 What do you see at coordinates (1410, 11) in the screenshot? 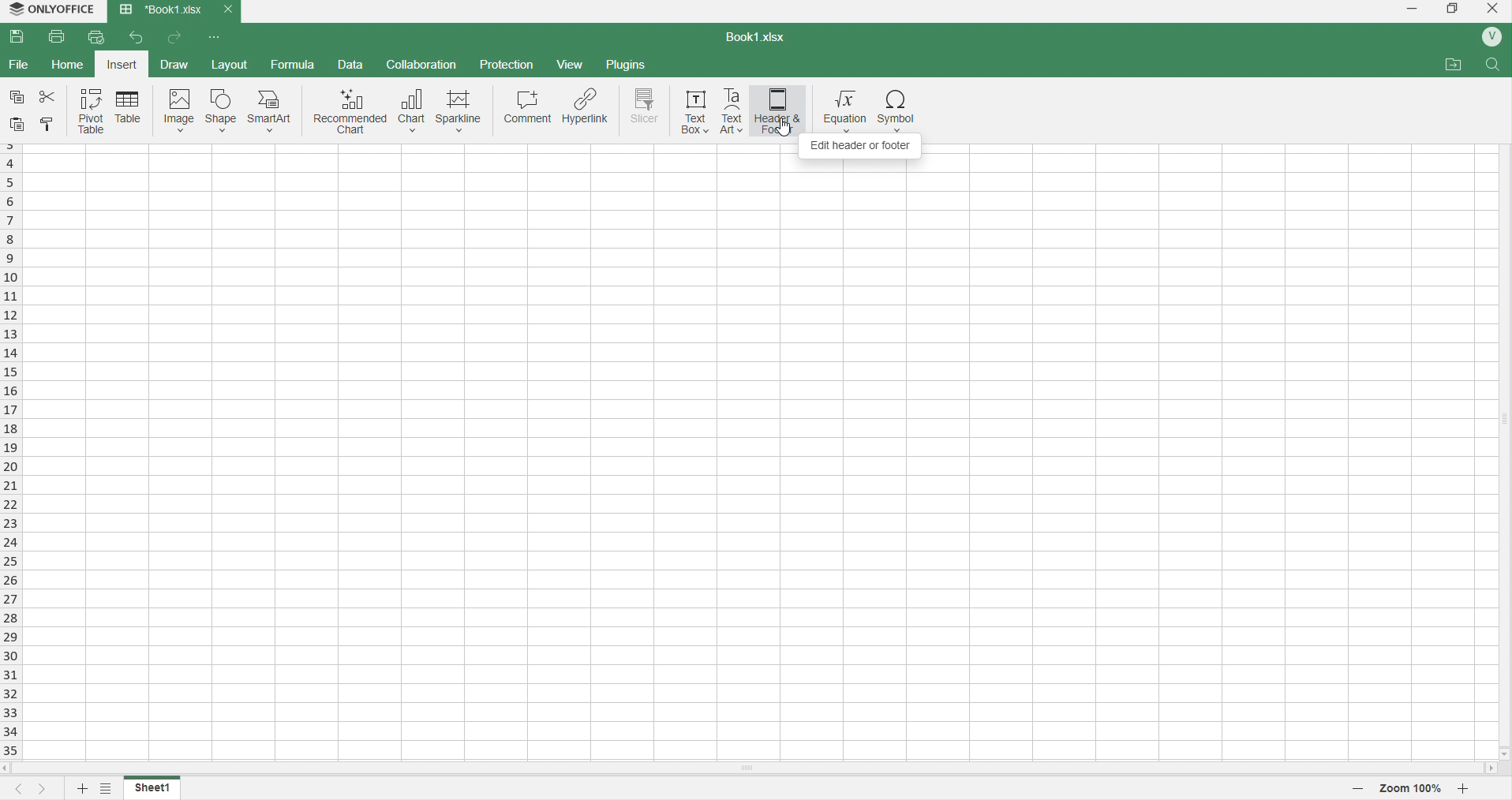
I see `minimize` at bounding box center [1410, 11].